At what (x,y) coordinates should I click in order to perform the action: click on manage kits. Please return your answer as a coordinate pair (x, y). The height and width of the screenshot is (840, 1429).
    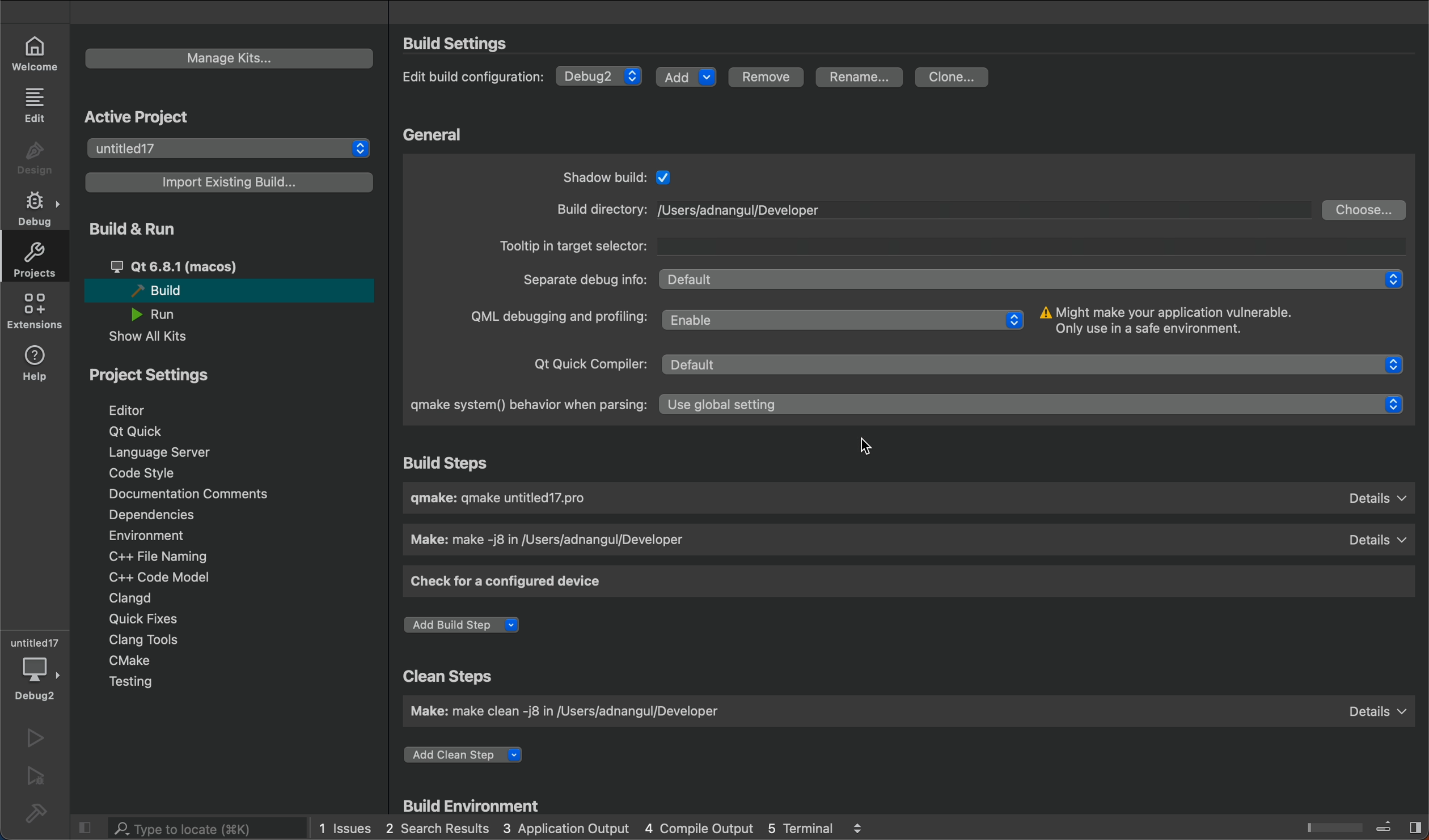
    Looking at the image, I should click on (231, 58).